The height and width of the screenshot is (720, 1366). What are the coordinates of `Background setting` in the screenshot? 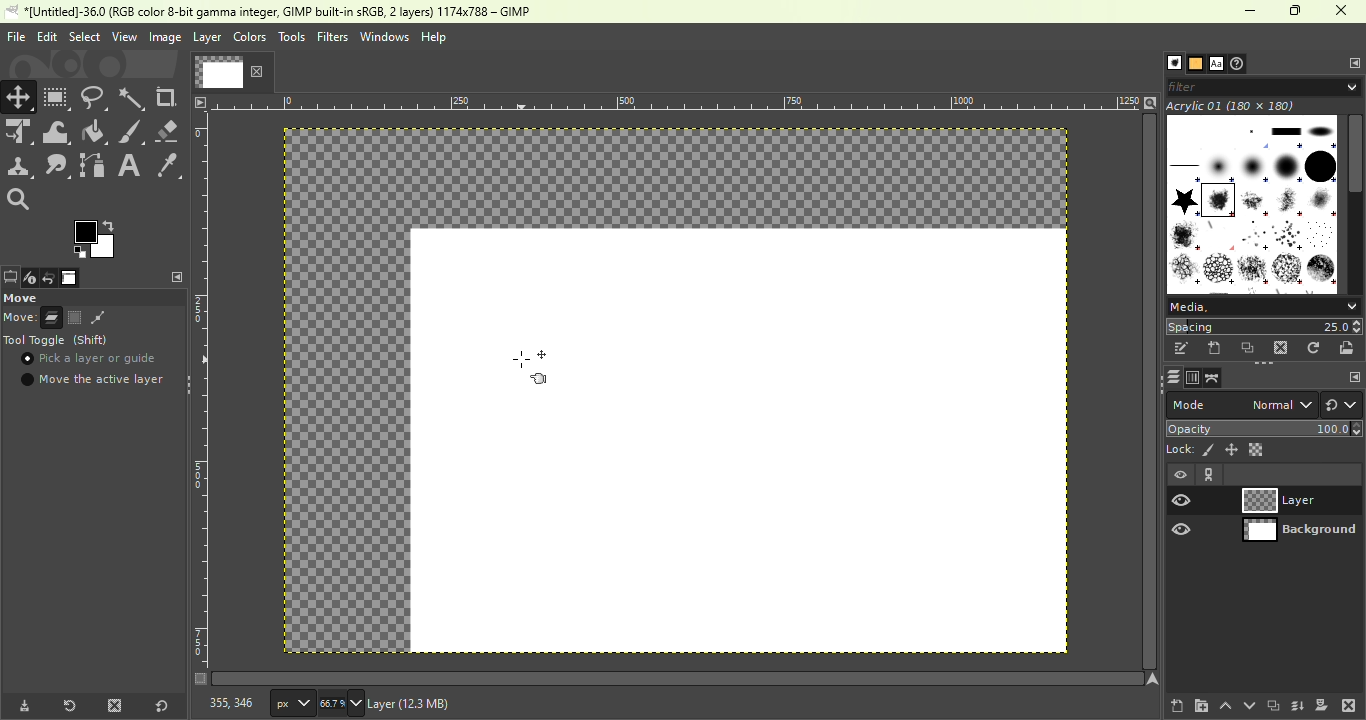 It's located at (1265, 500).